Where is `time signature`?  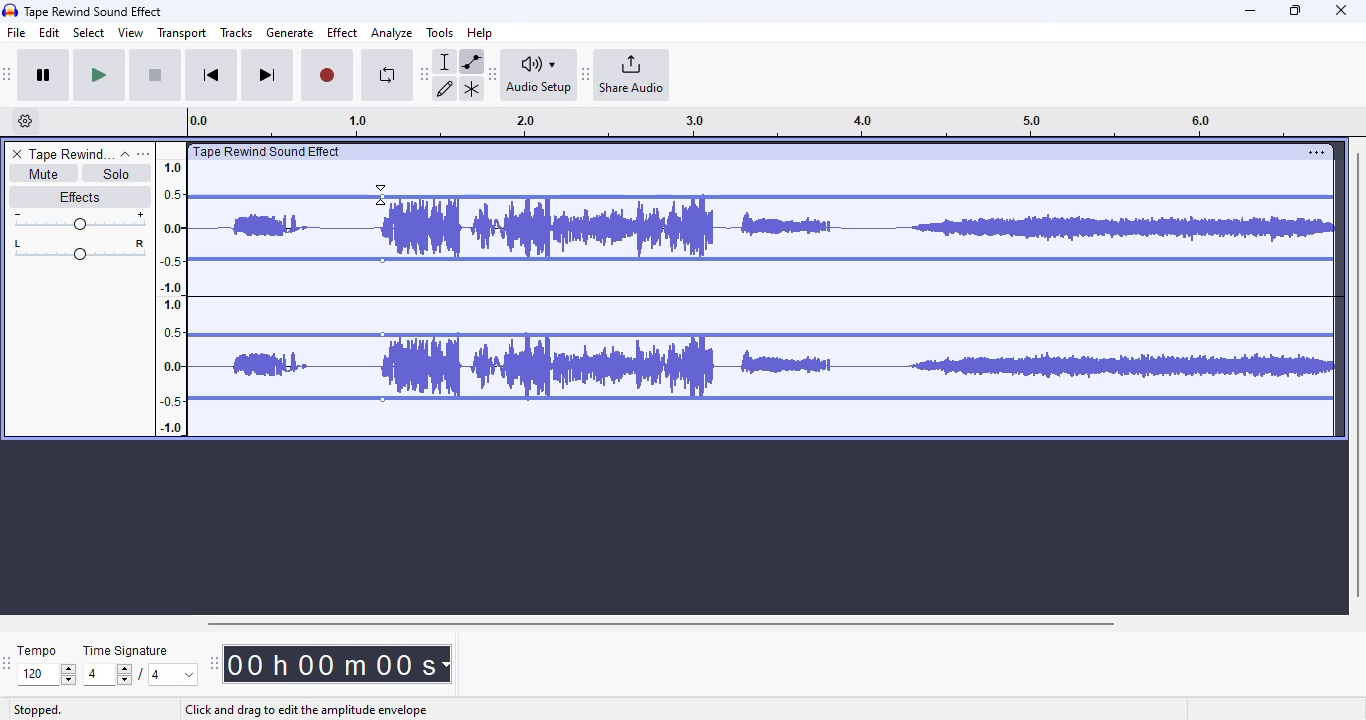
time signature is located at coordinates (126, 651).